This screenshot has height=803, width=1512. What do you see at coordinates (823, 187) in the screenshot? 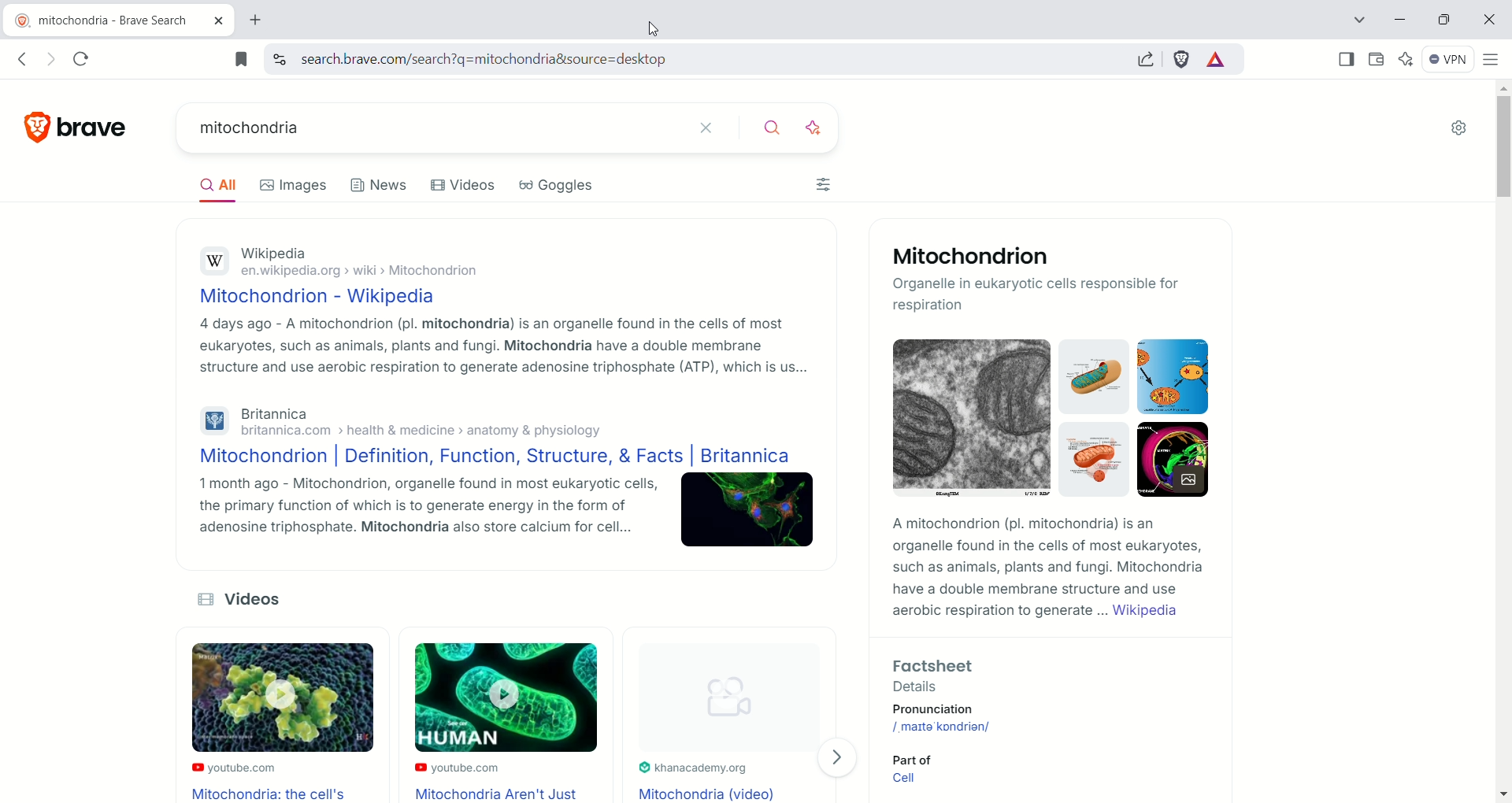
I see `filter` at bounding box center [823, 187].